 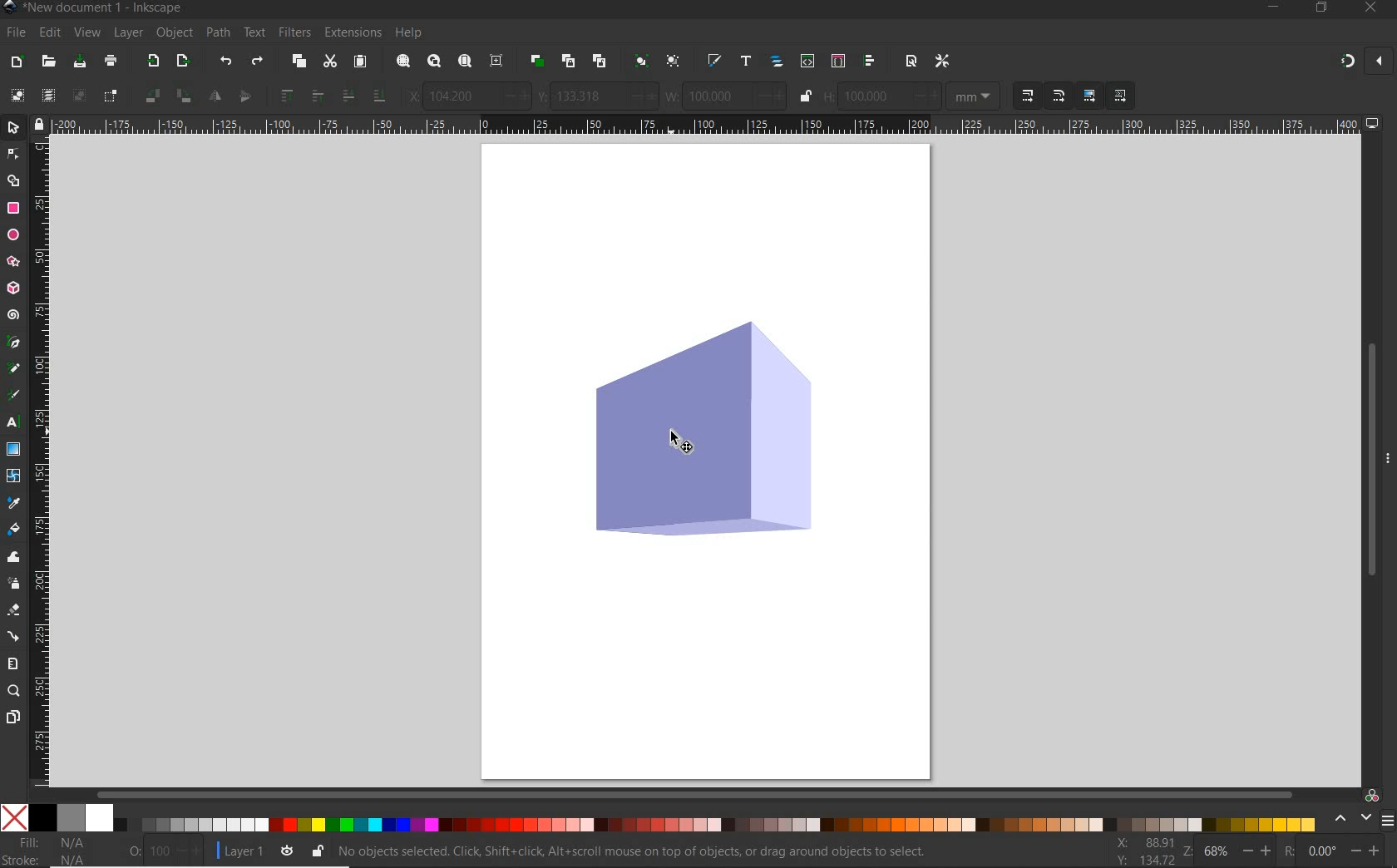 What do you see at coordinates (838, 62) in the screenshot?
I see `OPEN SELECTORS` at bounding box center [838, 62].